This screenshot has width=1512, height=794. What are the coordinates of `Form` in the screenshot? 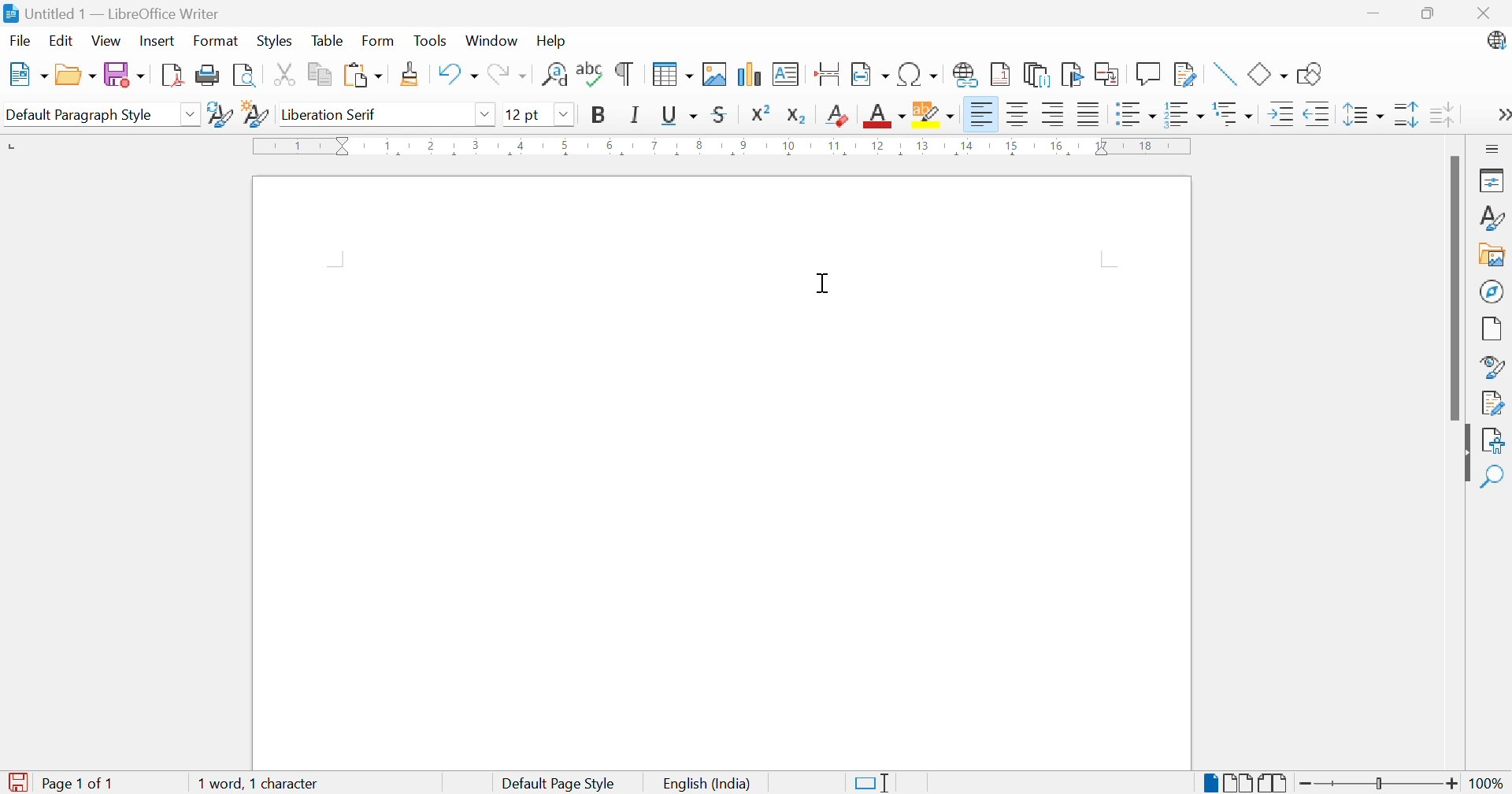 It's located at (379, 39).